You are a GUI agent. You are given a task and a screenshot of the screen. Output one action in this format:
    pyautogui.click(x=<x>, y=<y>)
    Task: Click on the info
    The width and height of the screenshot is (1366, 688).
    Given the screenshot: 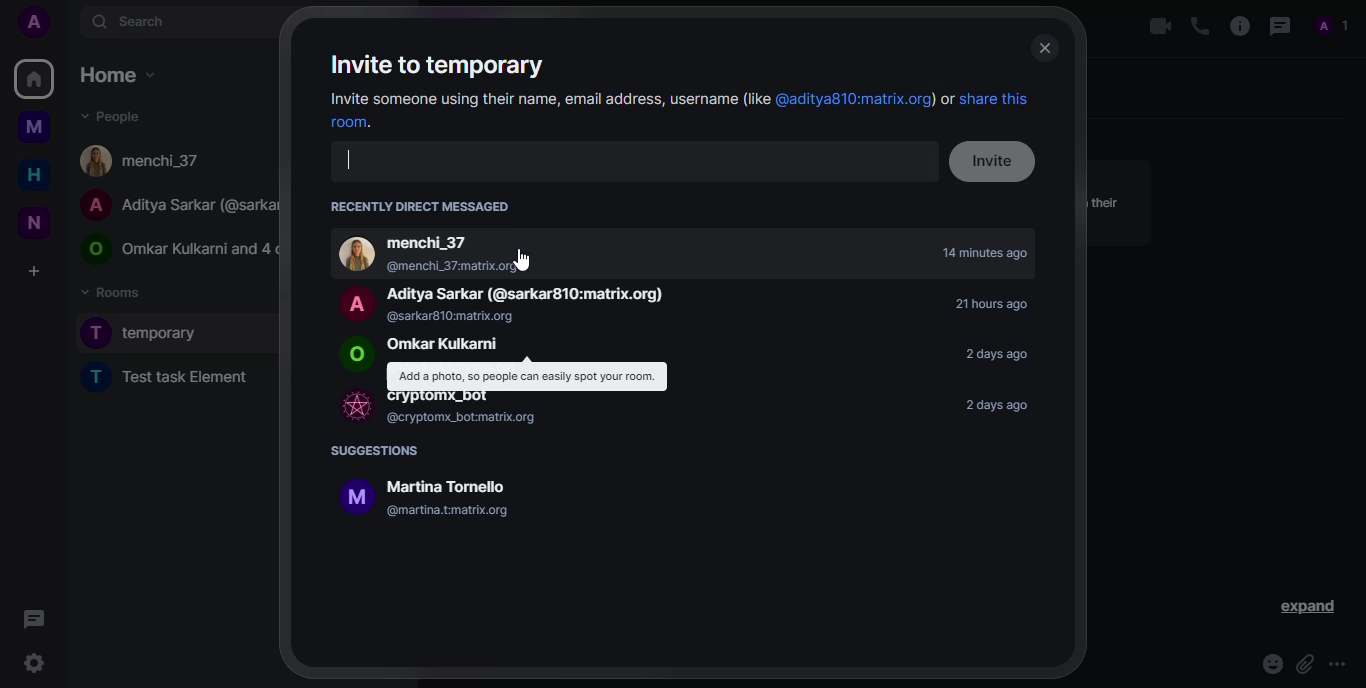 What is the action you would take?
    pyautogui.click(x=1236, y=27)
    